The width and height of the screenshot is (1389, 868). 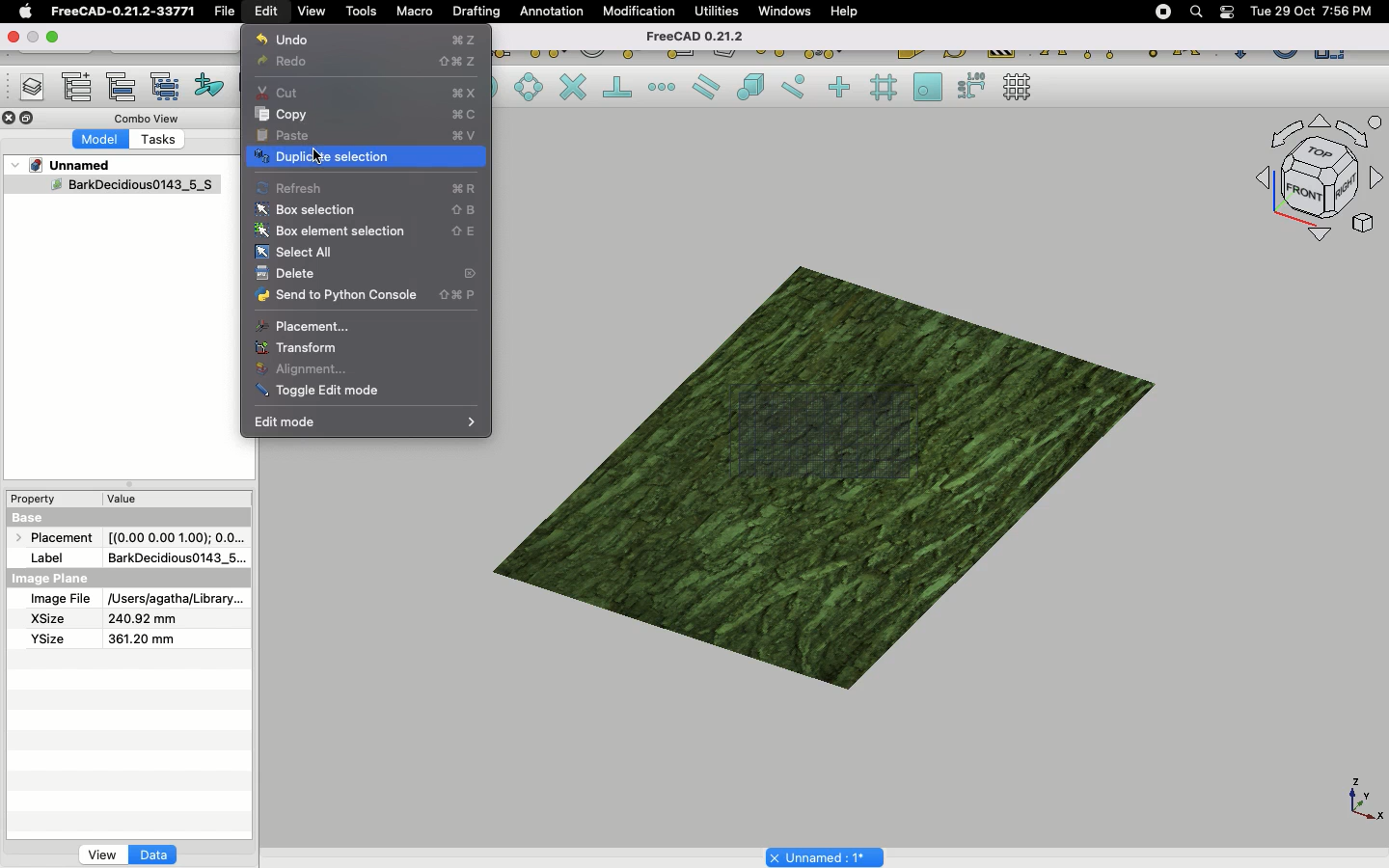 I want to click on FreeCAD, so click(x=124, y=12).